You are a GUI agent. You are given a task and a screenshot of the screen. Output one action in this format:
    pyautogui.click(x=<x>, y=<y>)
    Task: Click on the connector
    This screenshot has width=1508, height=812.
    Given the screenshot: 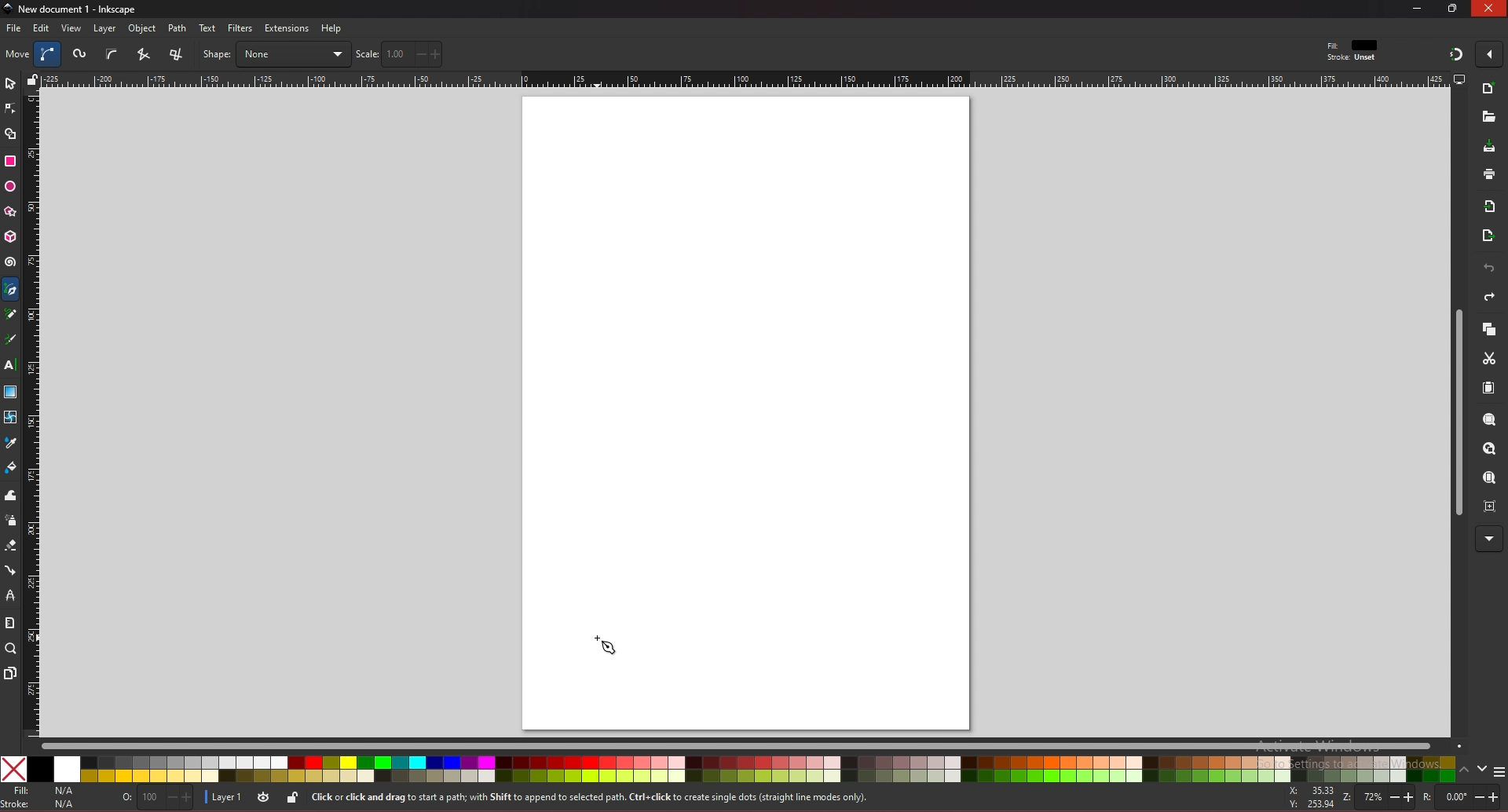 What is the action you would take?
    pyautogui.click(x=11, y=571)
    